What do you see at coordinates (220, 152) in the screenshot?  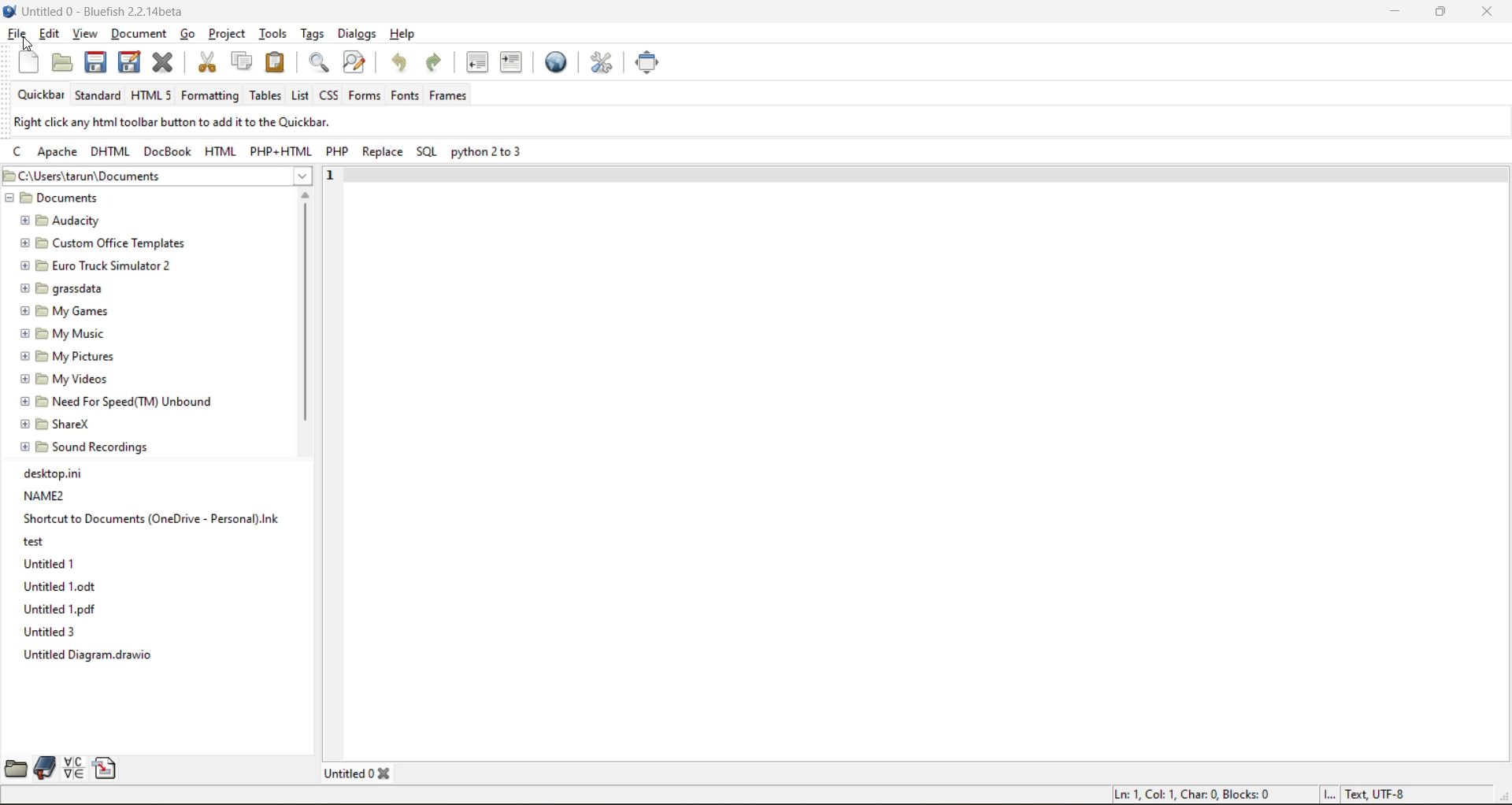 I see `html` at bounding box center [220, 152].